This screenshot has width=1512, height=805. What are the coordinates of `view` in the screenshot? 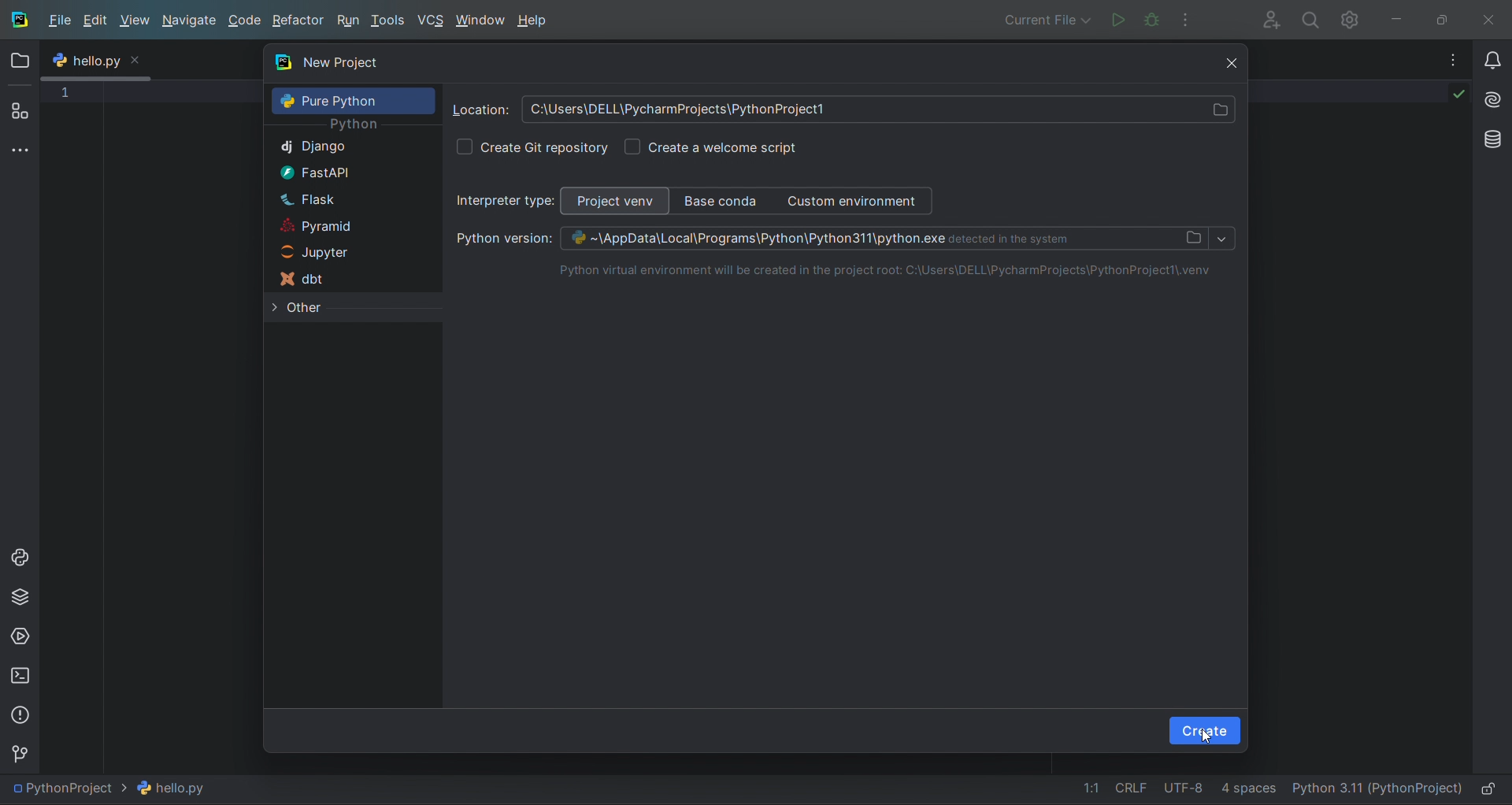 It's located at (134, 20).